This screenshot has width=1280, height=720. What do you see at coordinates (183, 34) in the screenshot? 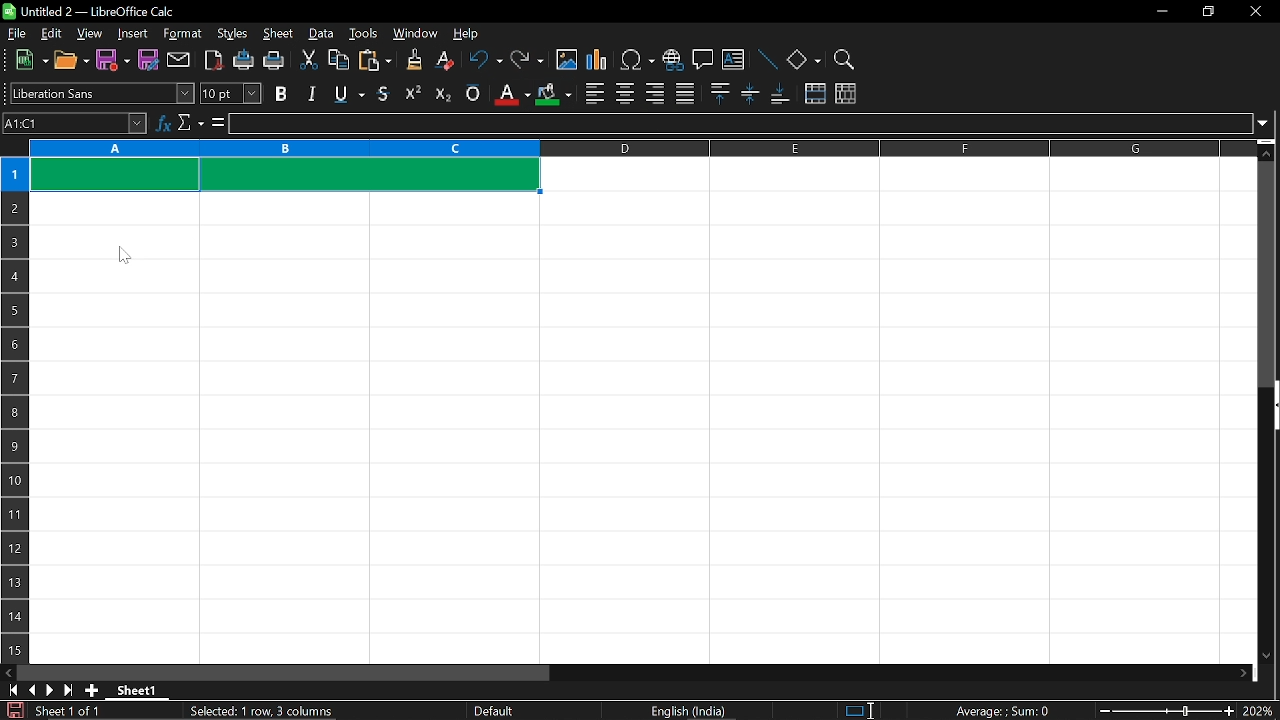
I see `format` at bounding box center [183, 34].